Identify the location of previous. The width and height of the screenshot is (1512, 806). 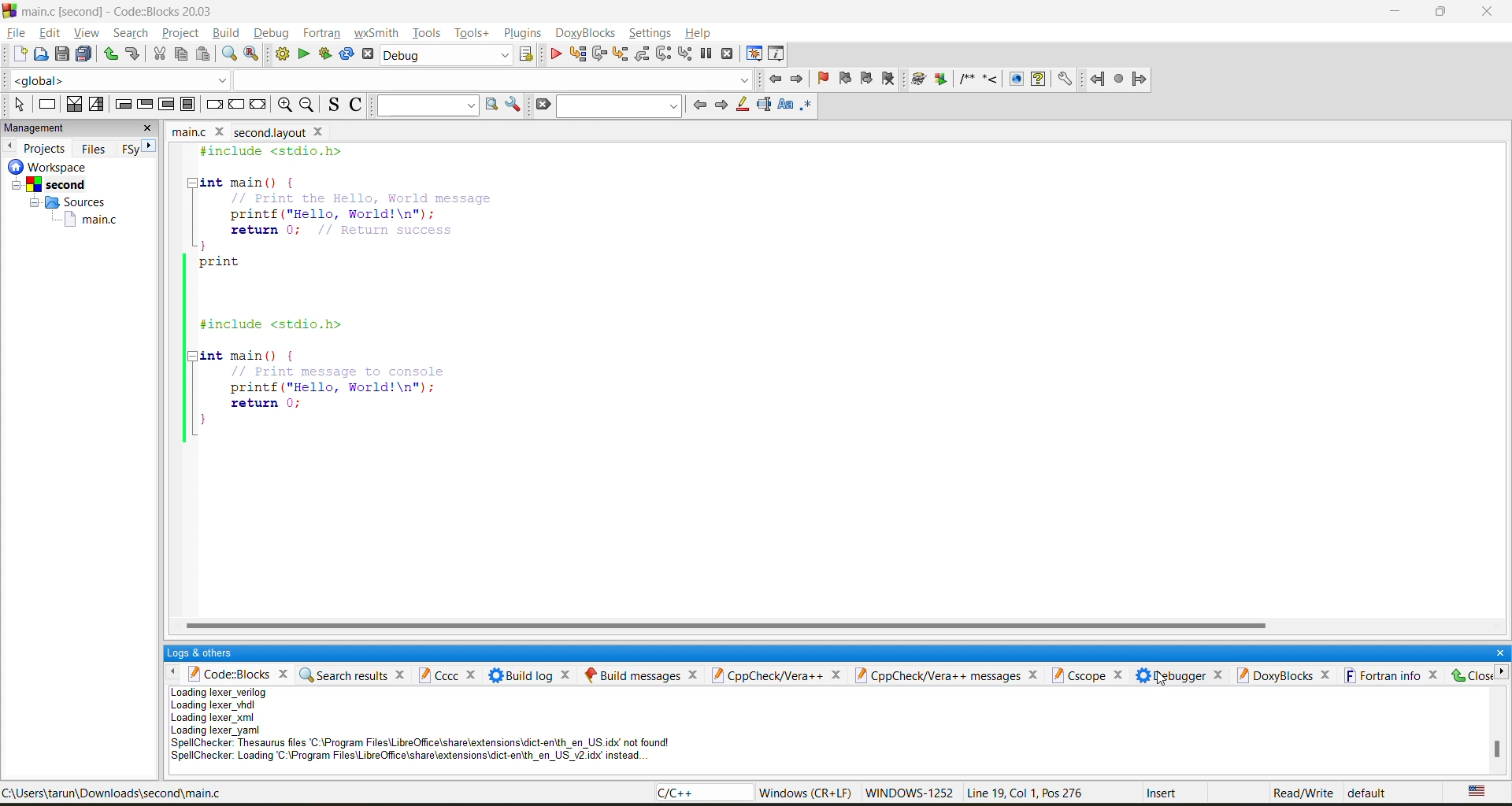
(699, 105).